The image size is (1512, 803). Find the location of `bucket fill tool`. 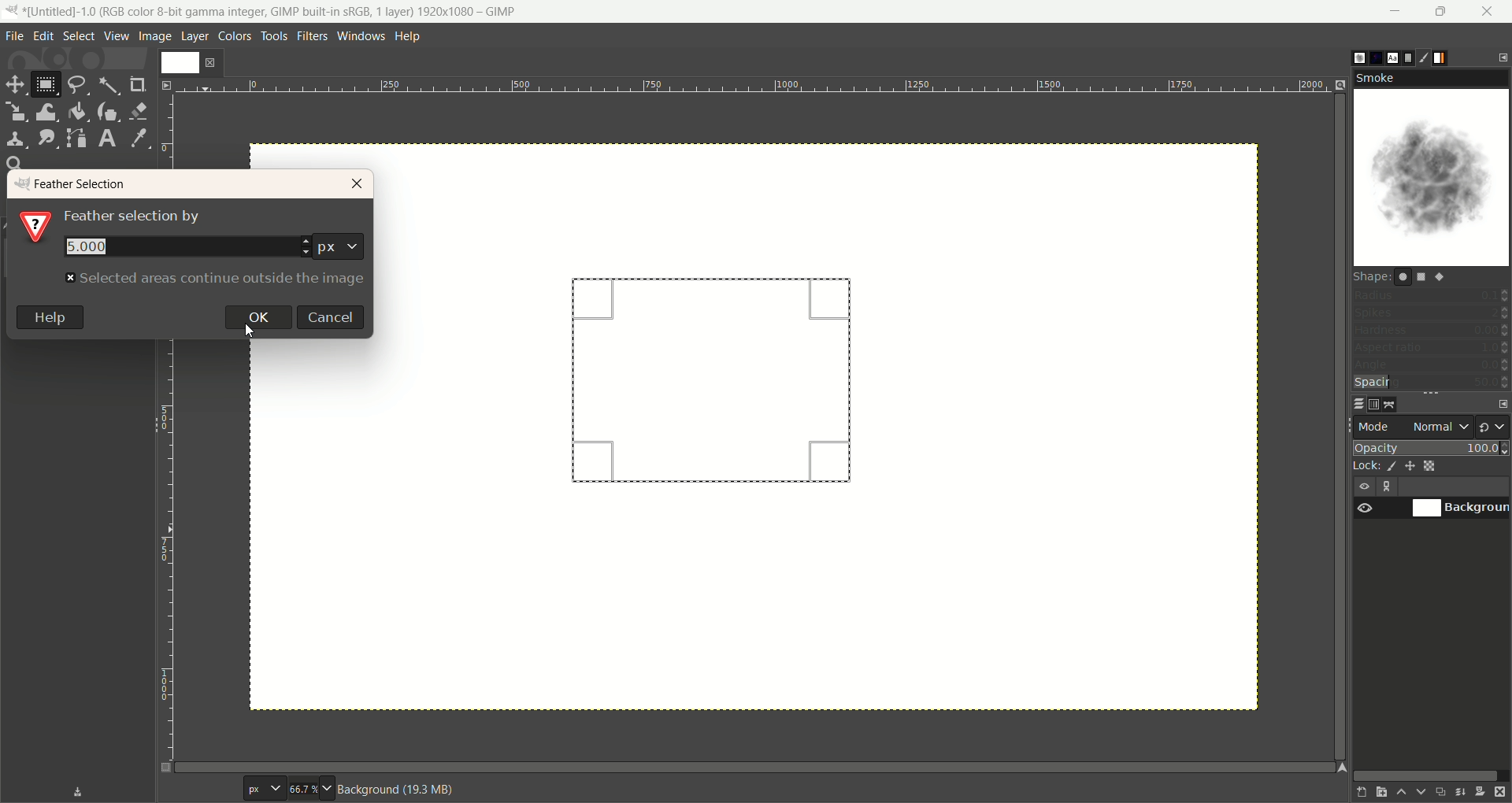

bucket fill tool is located at coordinates (79, 113).